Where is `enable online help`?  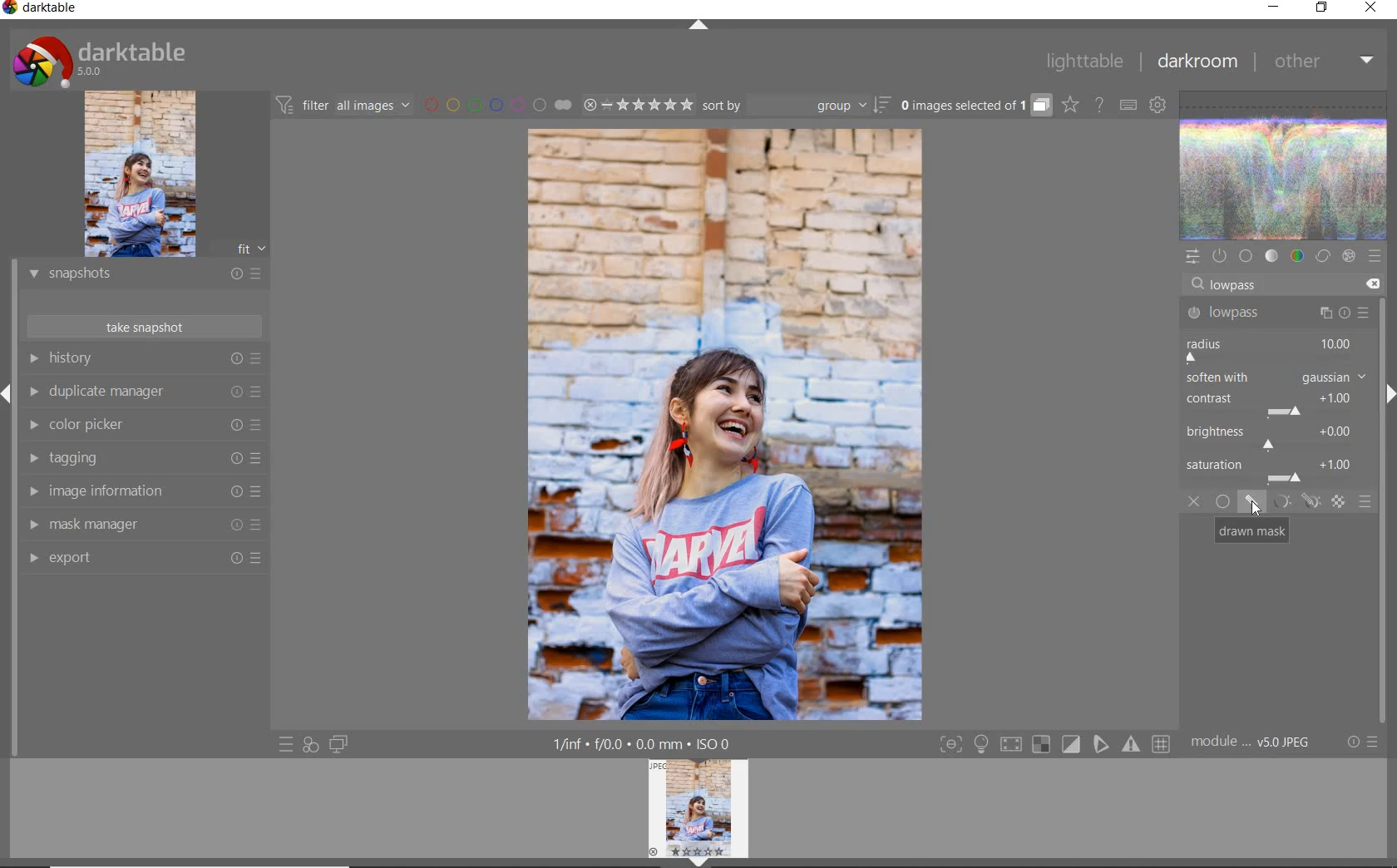
enable online help is located at coordinates (1100, 104).